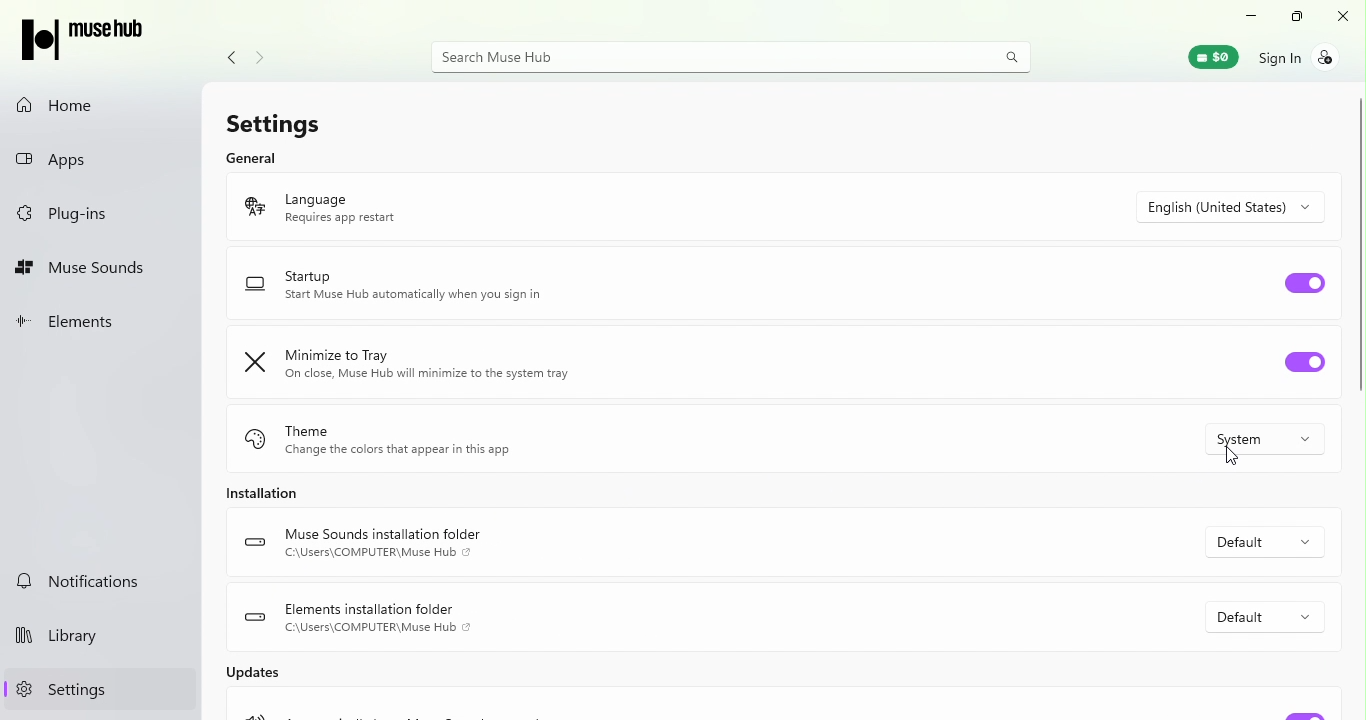  I want to click on Startup, so click(423, 292).